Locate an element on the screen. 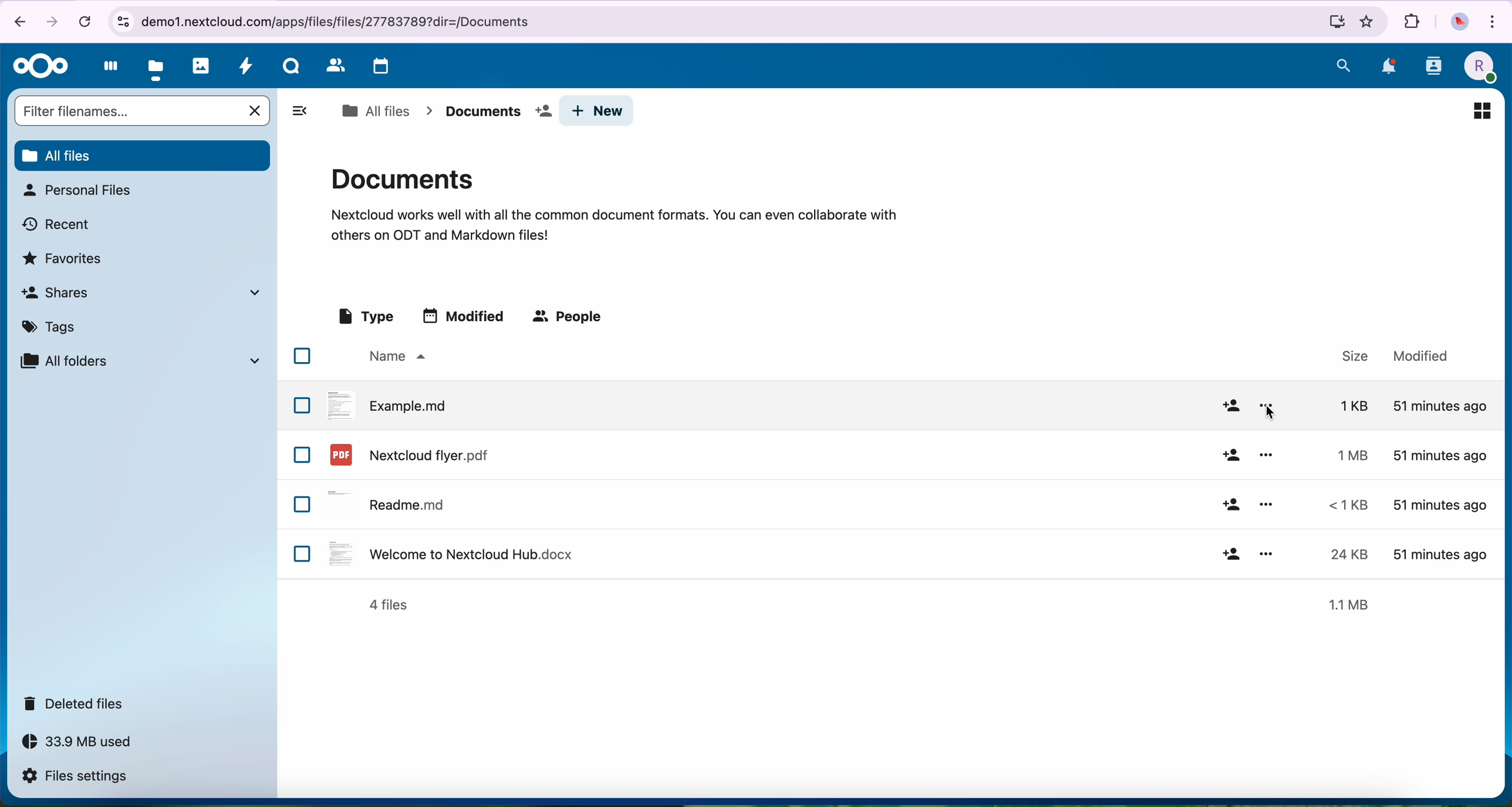 This screenshot has width=1512, height=807. files settings is located at coordinates (77, 777).